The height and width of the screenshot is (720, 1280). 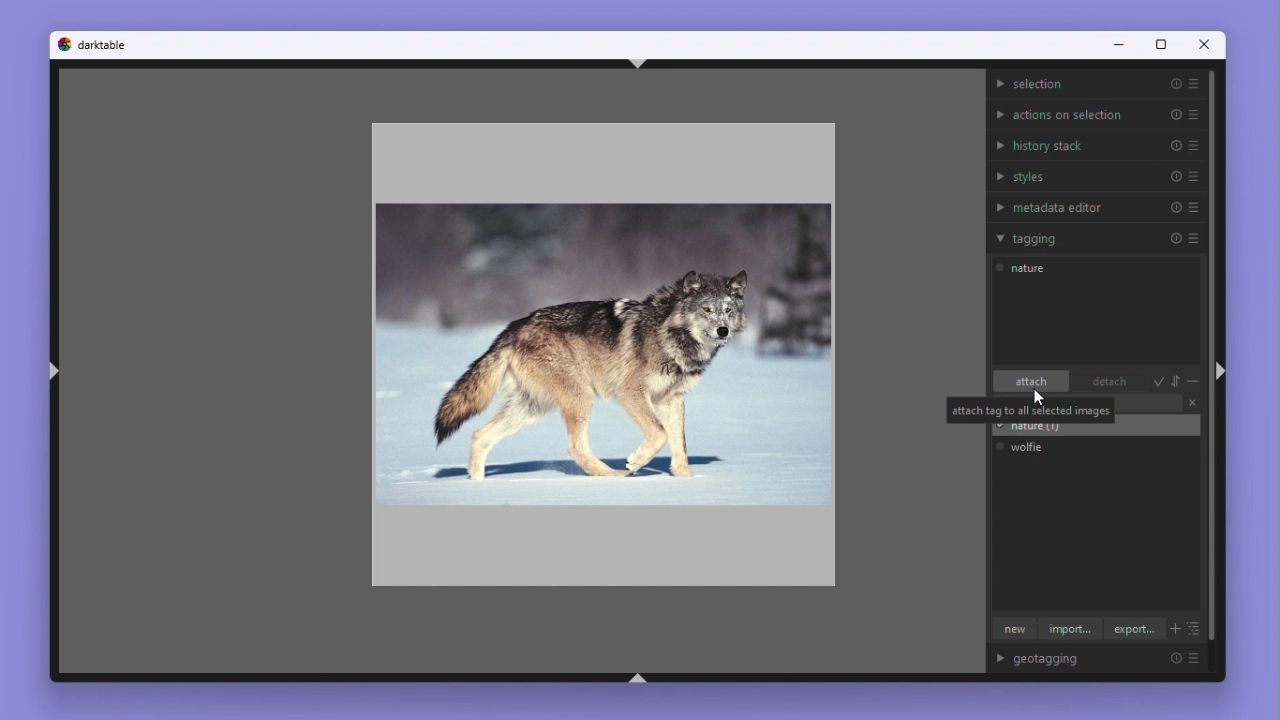 I want to click on ctrl+shift+b, so click(x=638, y=678).